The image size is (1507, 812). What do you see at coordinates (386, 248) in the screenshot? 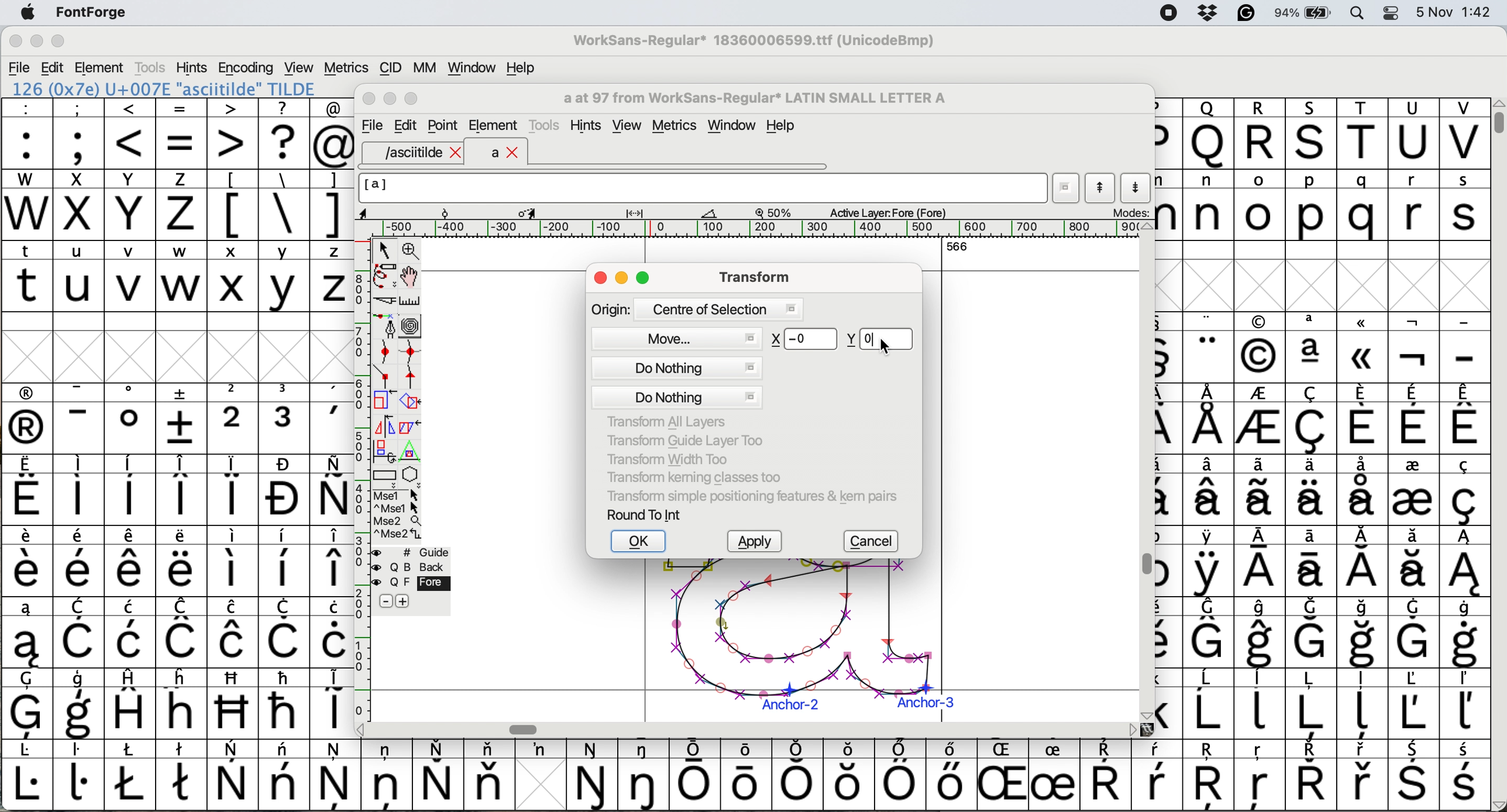
I see `select` at bounding box center [386, 248].